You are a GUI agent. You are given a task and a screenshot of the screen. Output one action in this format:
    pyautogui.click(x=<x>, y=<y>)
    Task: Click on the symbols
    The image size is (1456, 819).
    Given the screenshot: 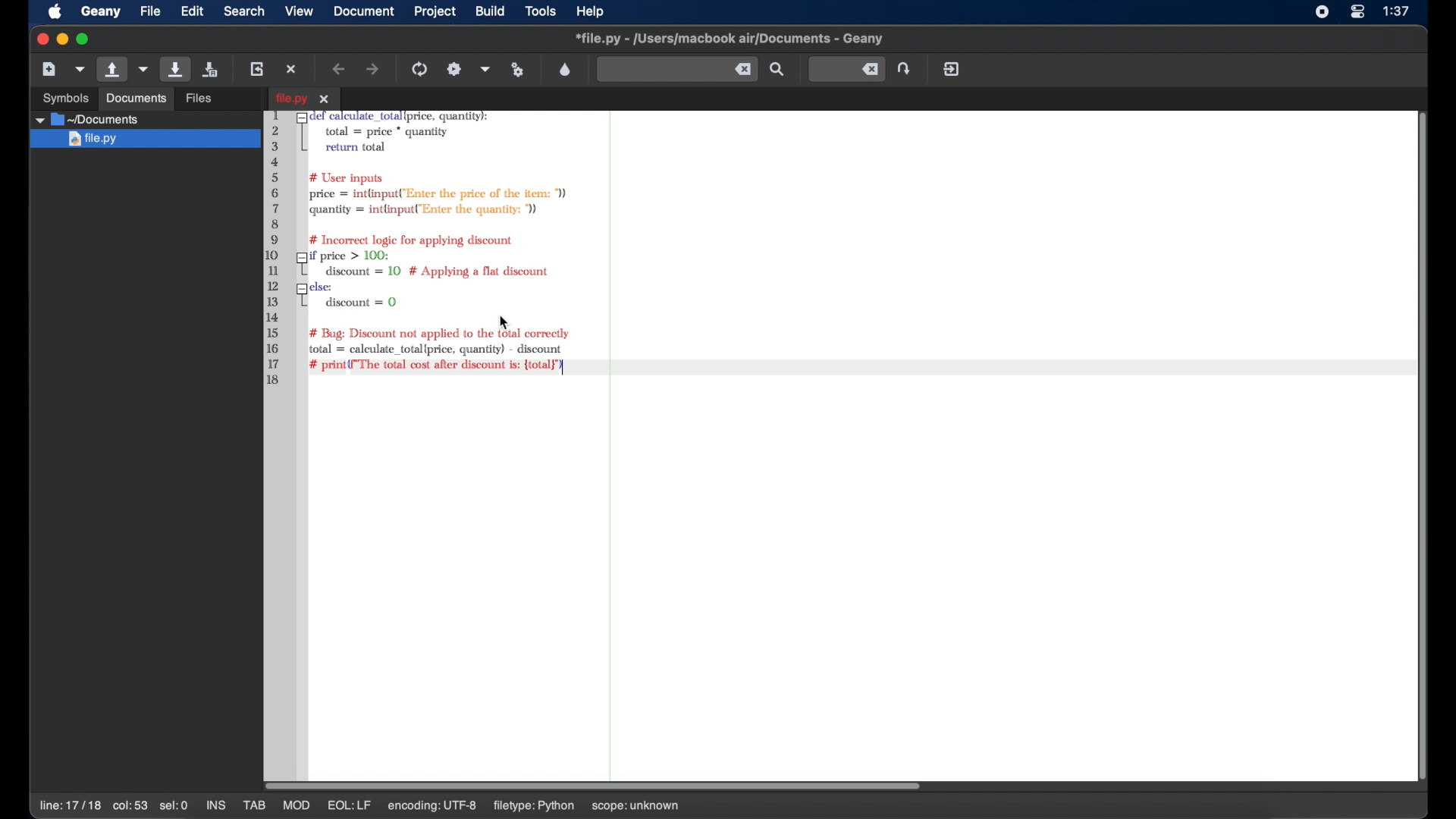 What is the action you would take?
    pyautogui.click(x=65, y=97)
    